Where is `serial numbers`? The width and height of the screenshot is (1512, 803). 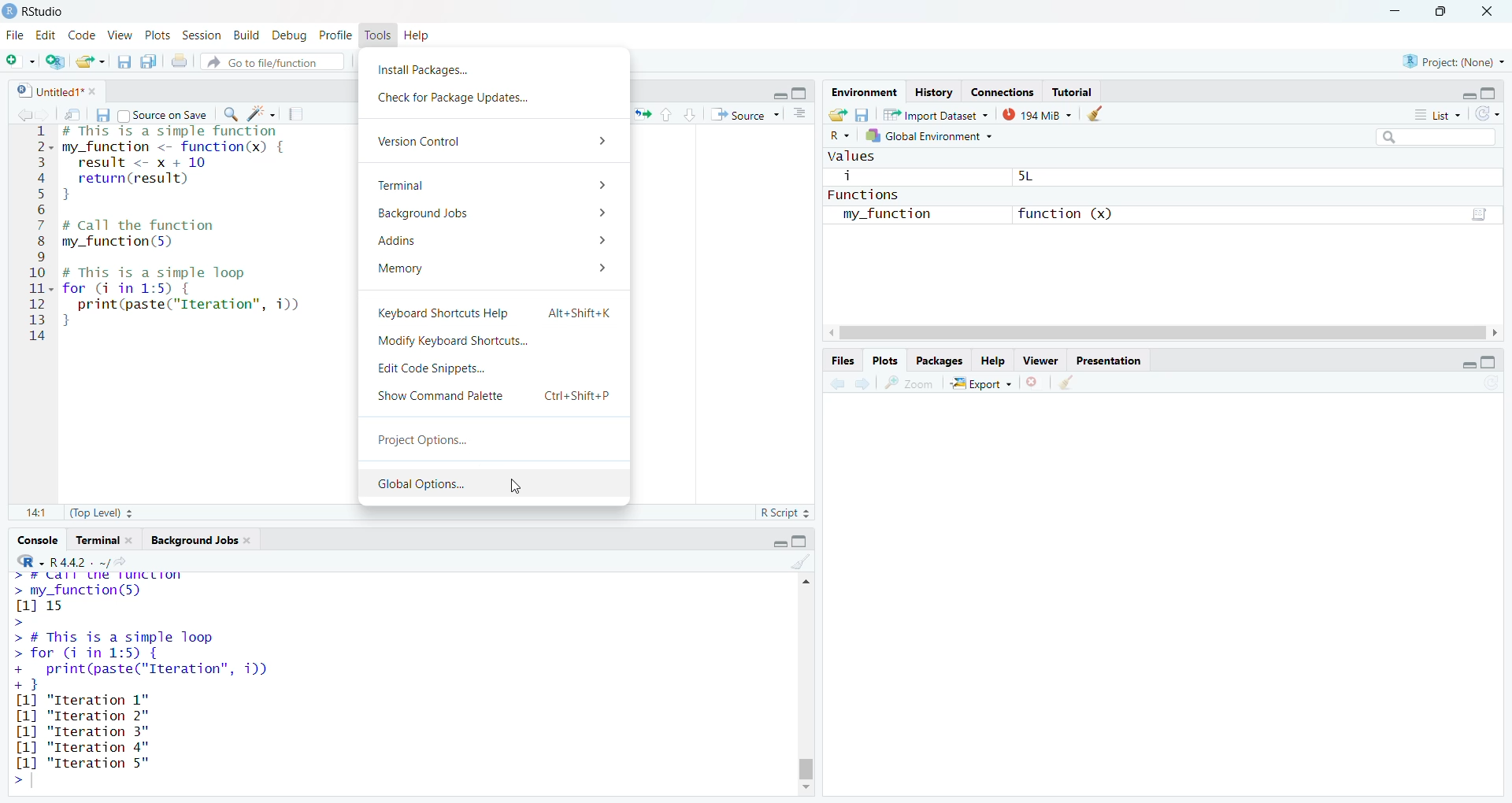
serial numbers is located at coordinates (38, 237).